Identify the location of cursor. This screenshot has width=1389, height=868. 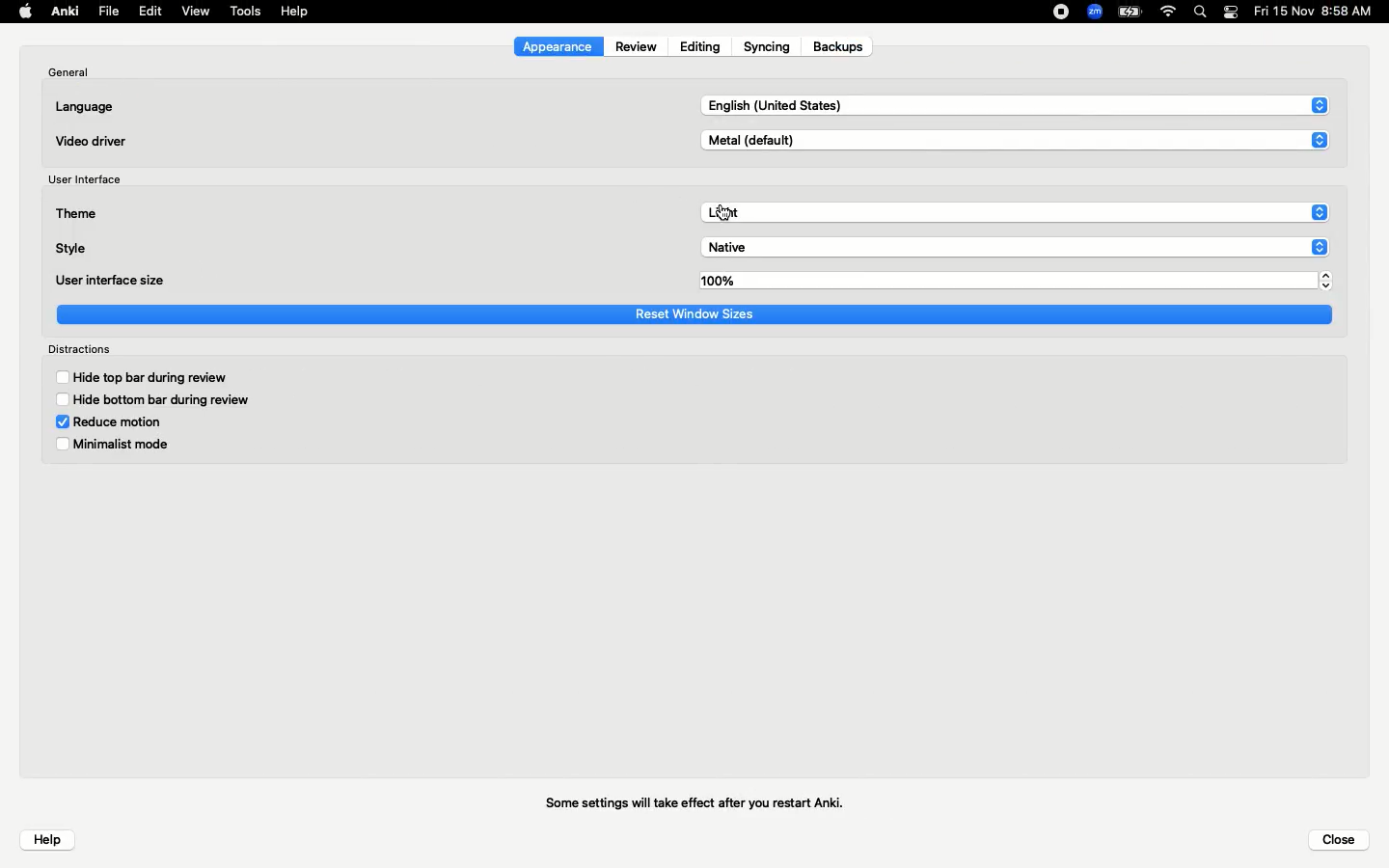
(724, 213).